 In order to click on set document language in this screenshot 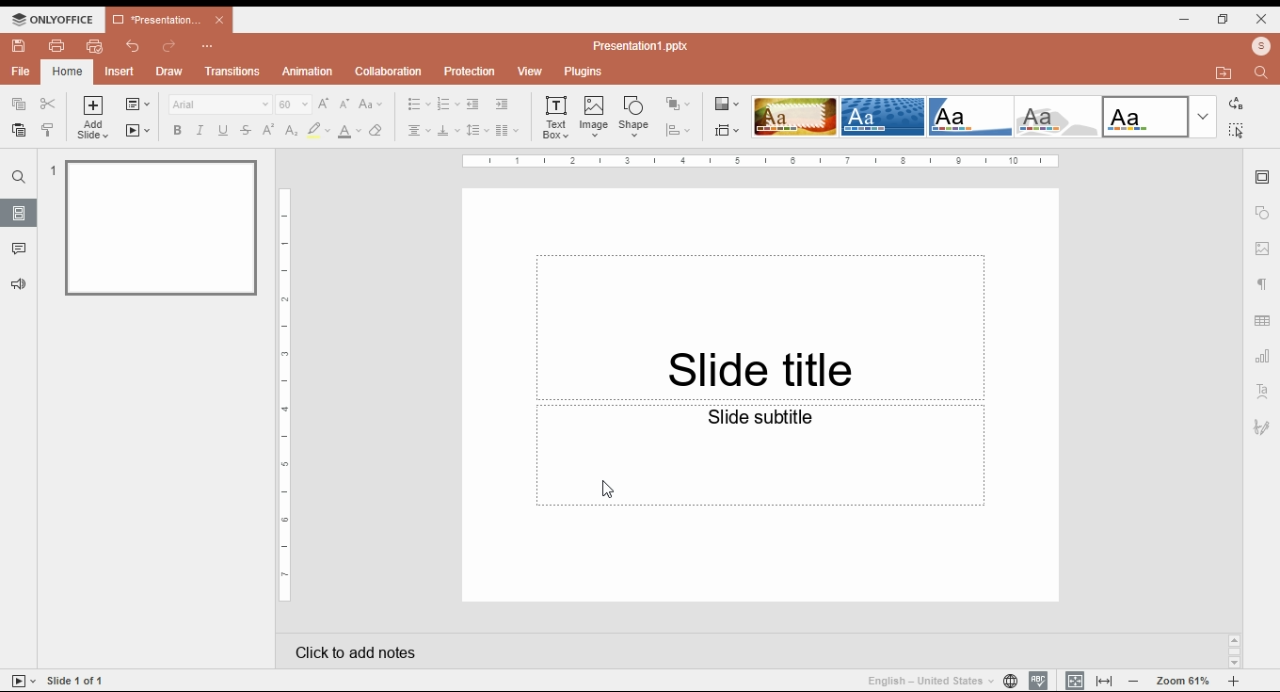, I will do `click(1010, 680)`.